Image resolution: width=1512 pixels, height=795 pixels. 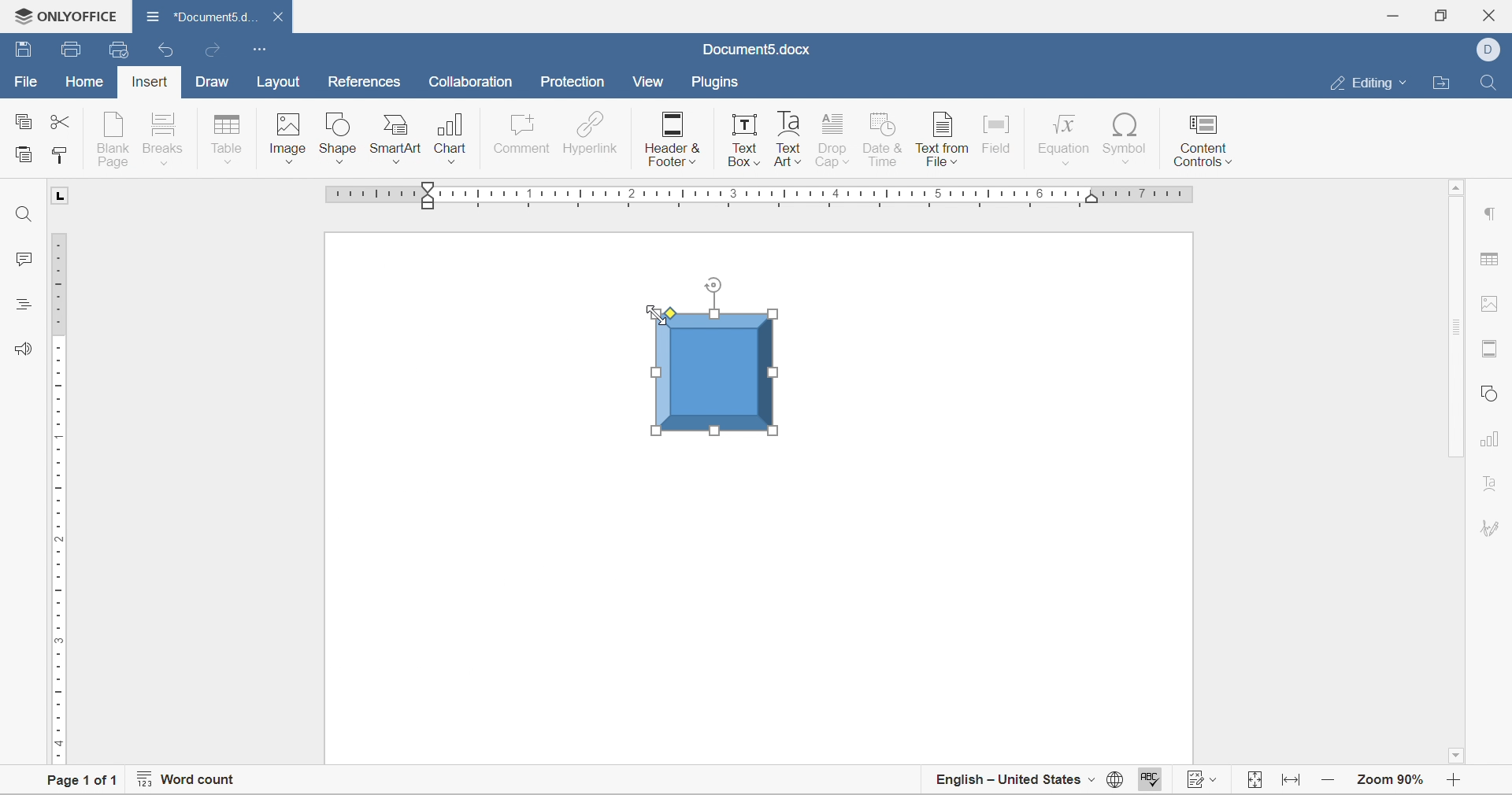 What do you see at coordinates (58, 495) in the screenshot?
I see `ruler` at bounding box center [58, 495].